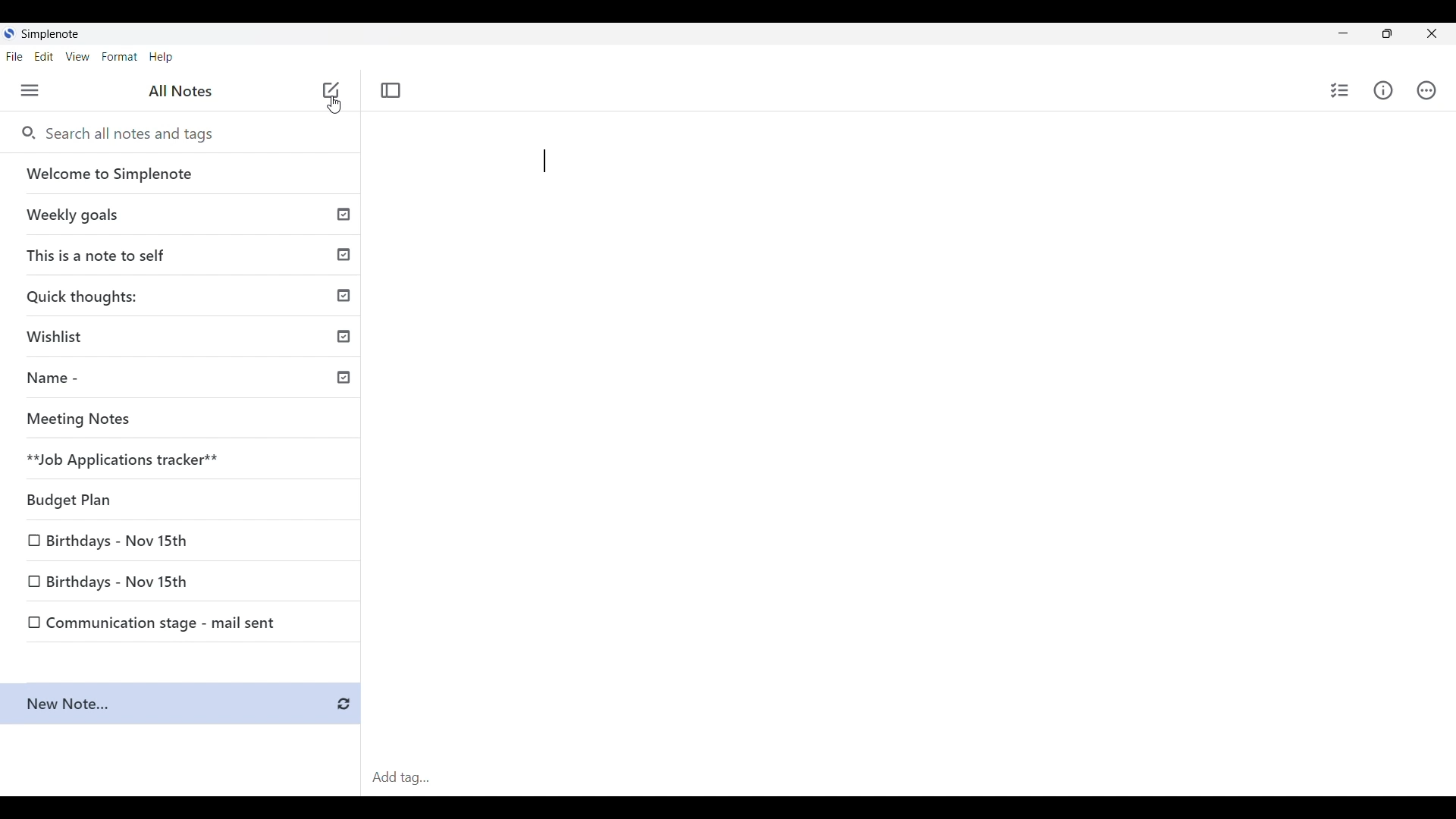 The width and height of the screenshot is (1456, 819). I want to click on Birthdays - Nov 15th, so click(183, 542).